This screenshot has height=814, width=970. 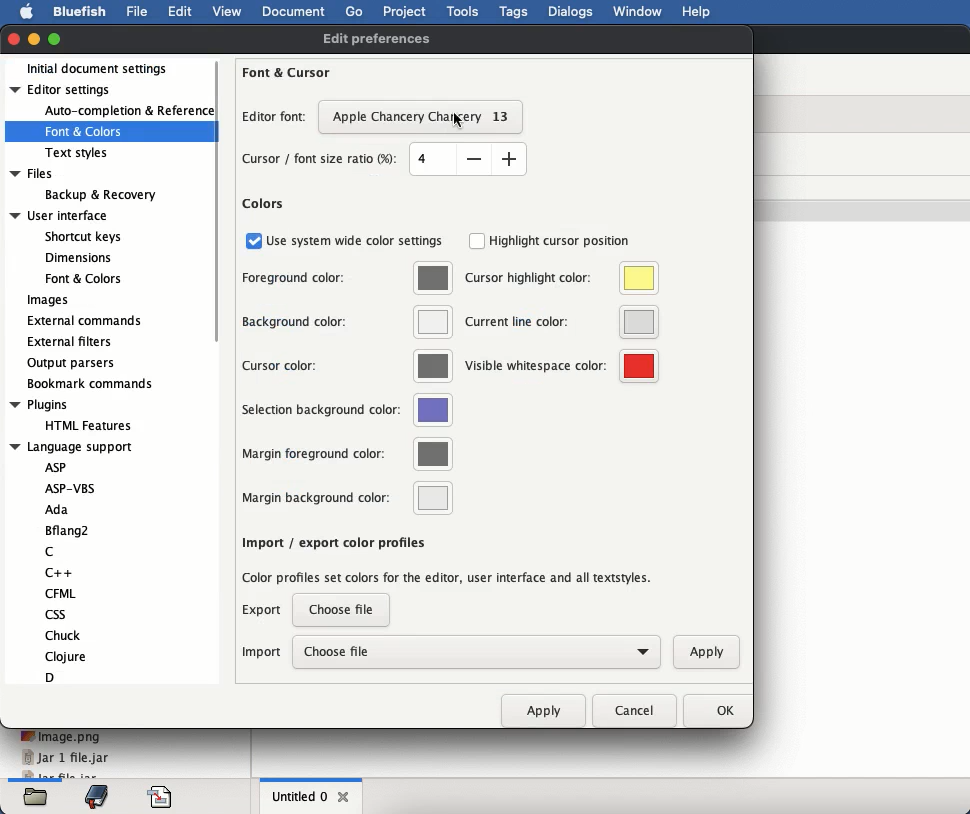 I want to click on maximize, so click(x=56, y=37).